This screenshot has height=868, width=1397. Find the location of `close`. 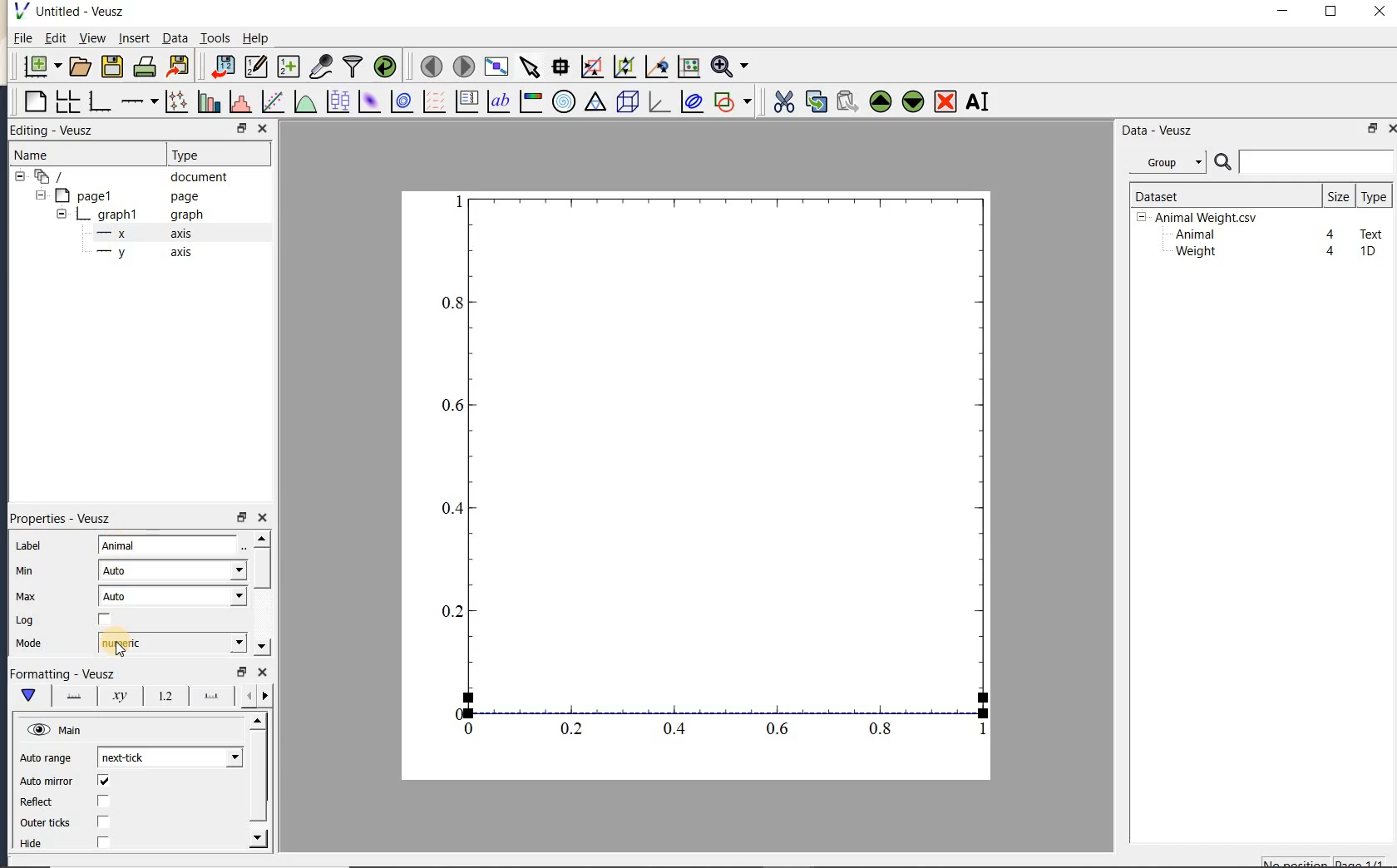

close is located at coordinates (1380, 12).